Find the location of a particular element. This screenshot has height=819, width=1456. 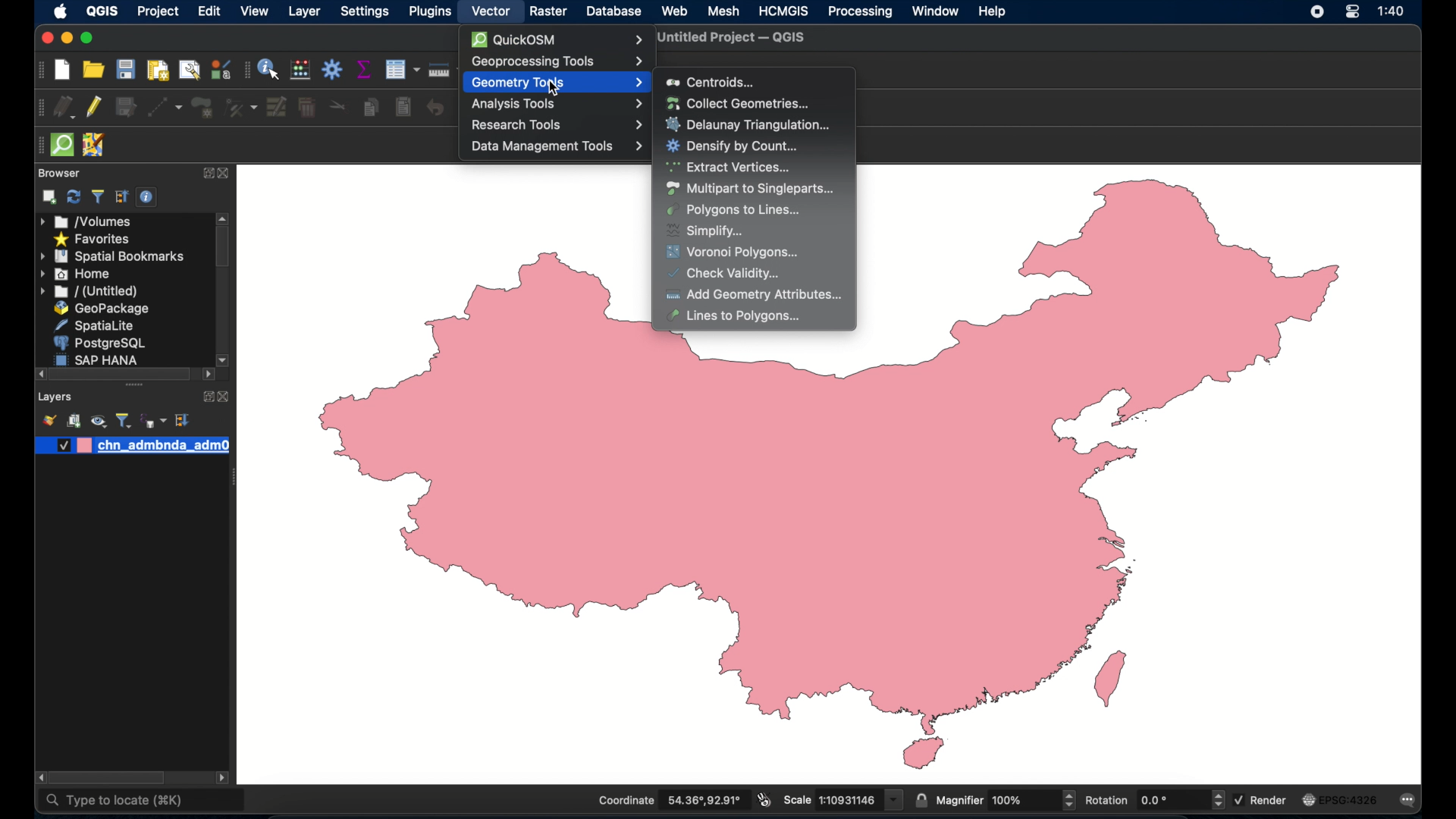

layer is located at coordinates (303, 12).